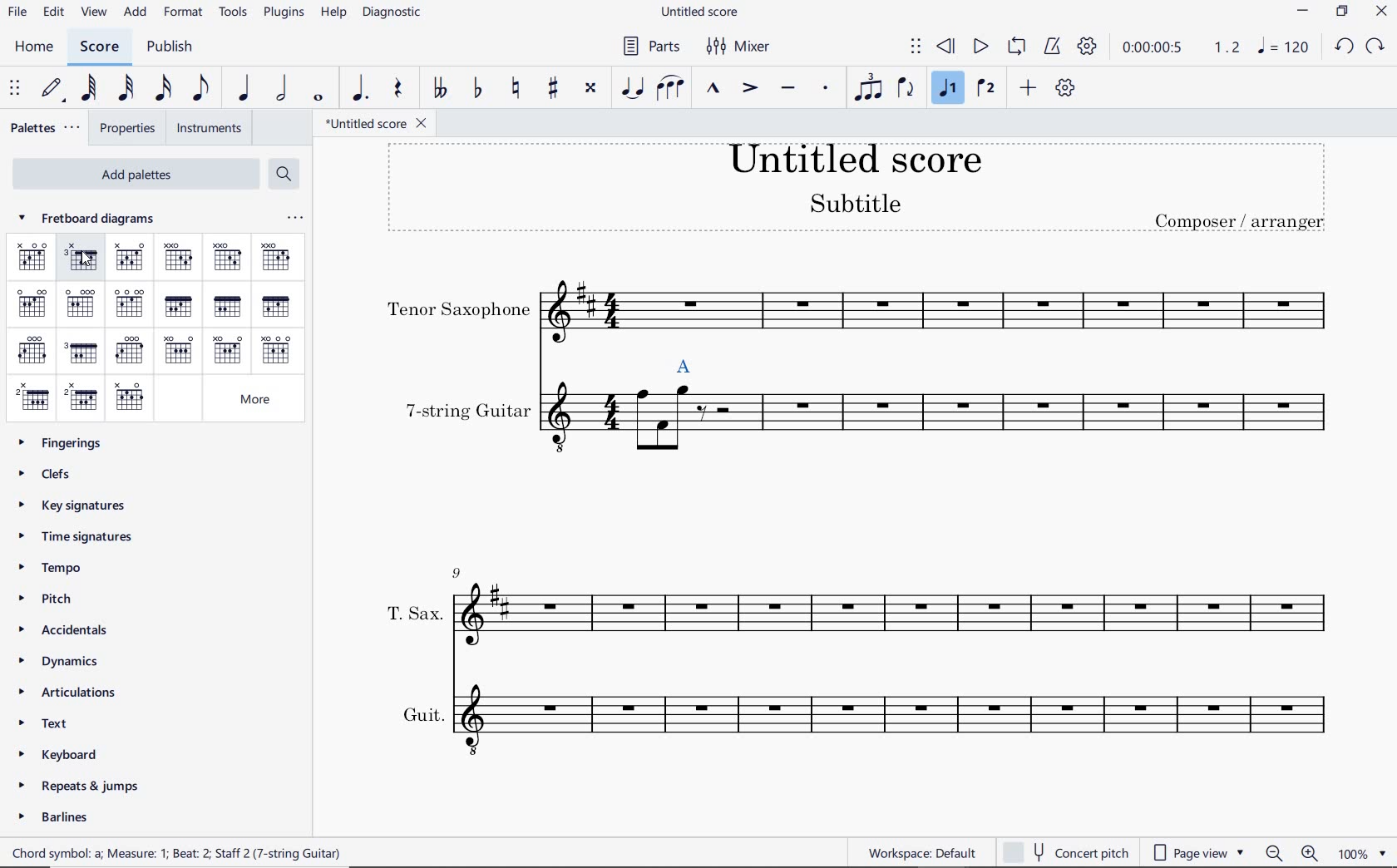  Describe the element at coordinates (1375, 48) in the screenshot. I see `REDO` at that location.